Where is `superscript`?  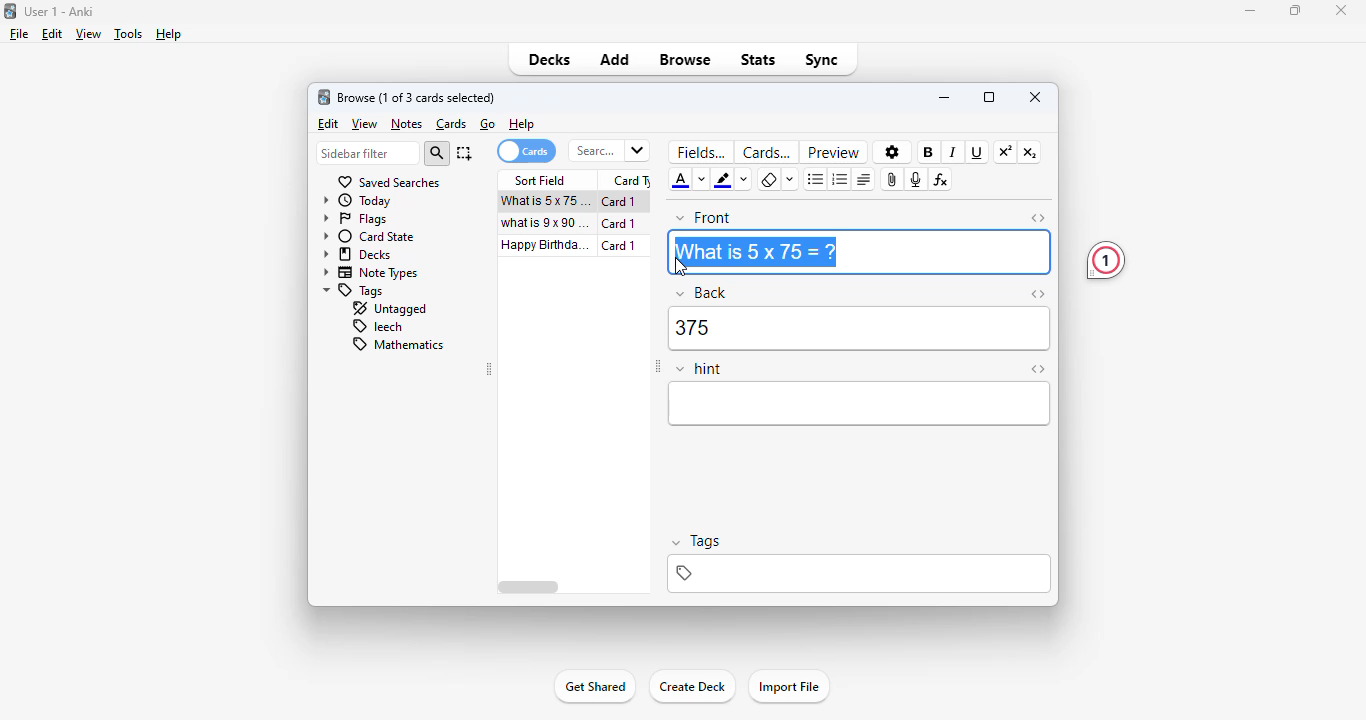
superscript is located at coordinates (1006, 152).